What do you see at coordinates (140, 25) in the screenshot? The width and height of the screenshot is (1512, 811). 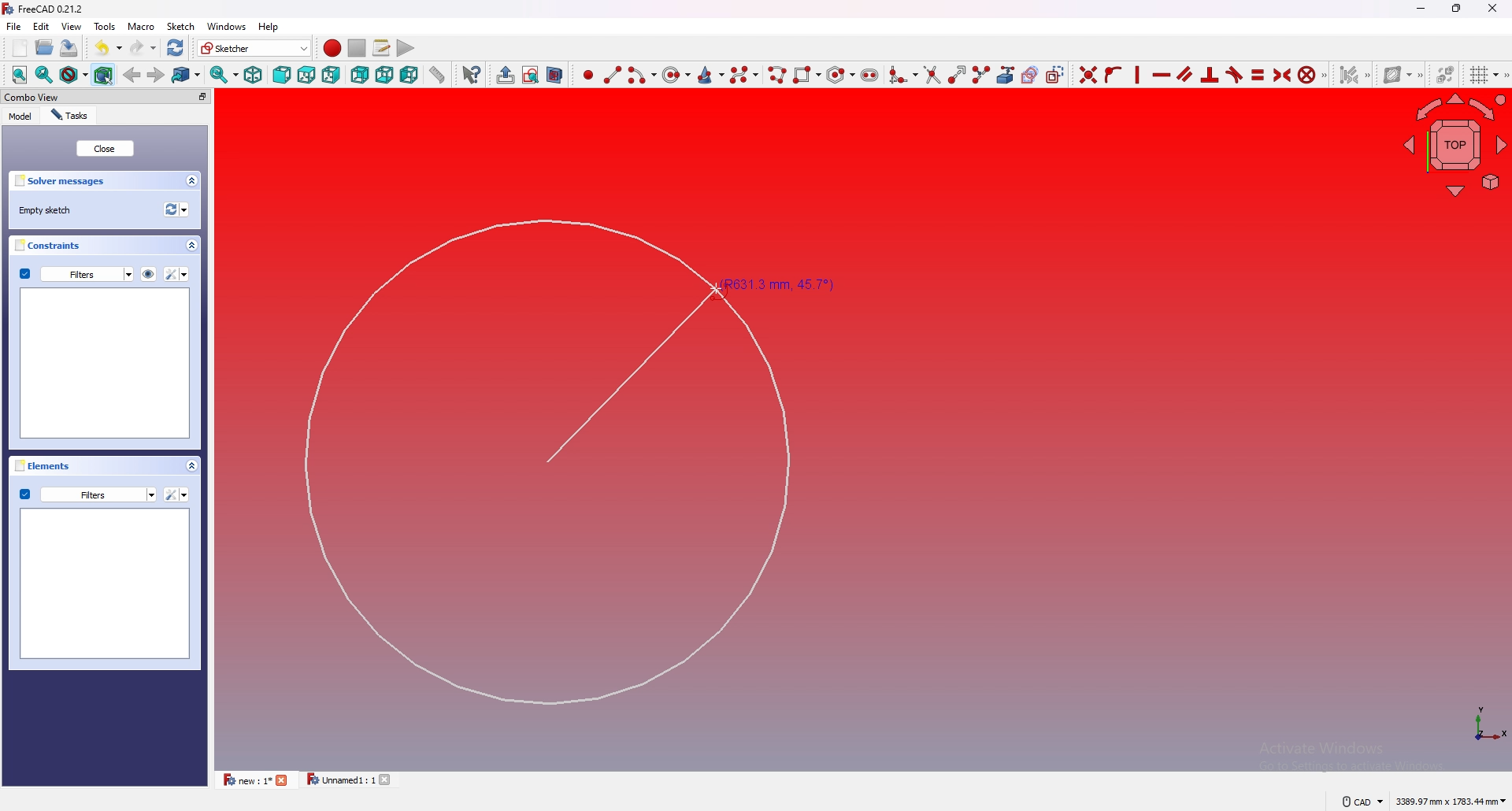 I see `macro` at bounding box center [140, 25].